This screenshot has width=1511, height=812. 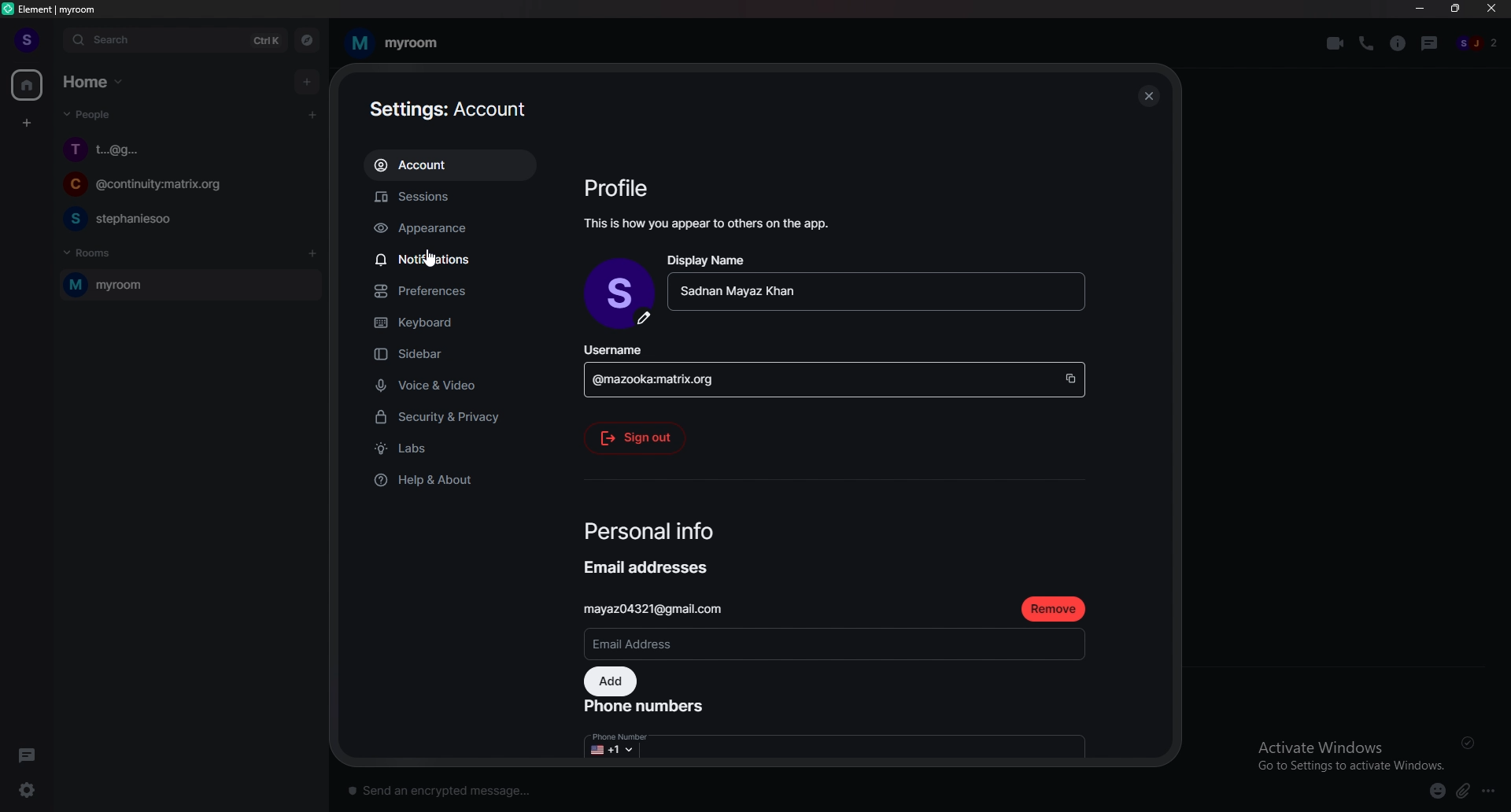 What do you see at coordinates (1492, 789) in the screenshot?
I see `options` at bounding box center [1492, 789].